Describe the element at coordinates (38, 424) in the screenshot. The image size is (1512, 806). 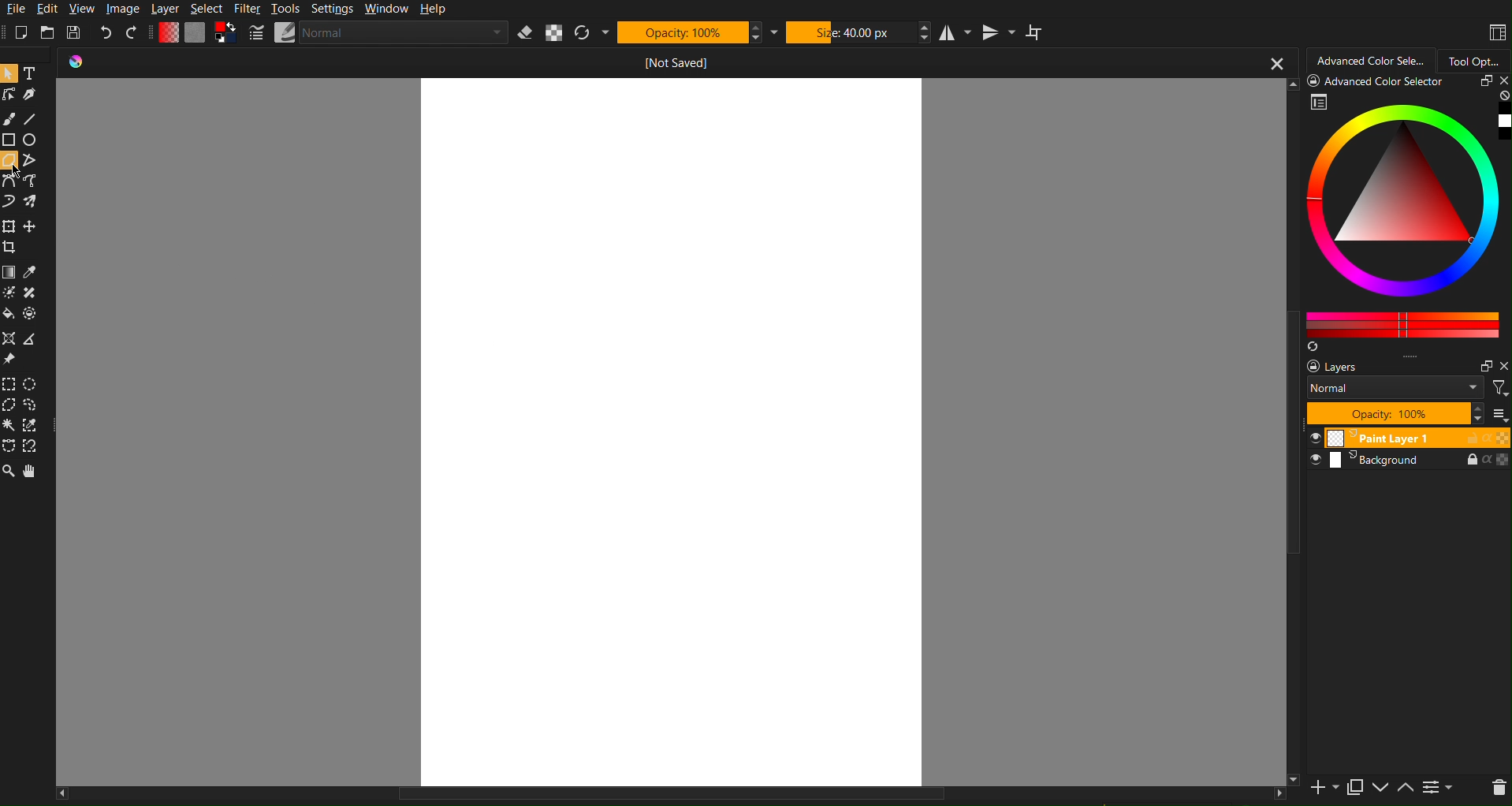
I see `similar color selection tool` at that location.